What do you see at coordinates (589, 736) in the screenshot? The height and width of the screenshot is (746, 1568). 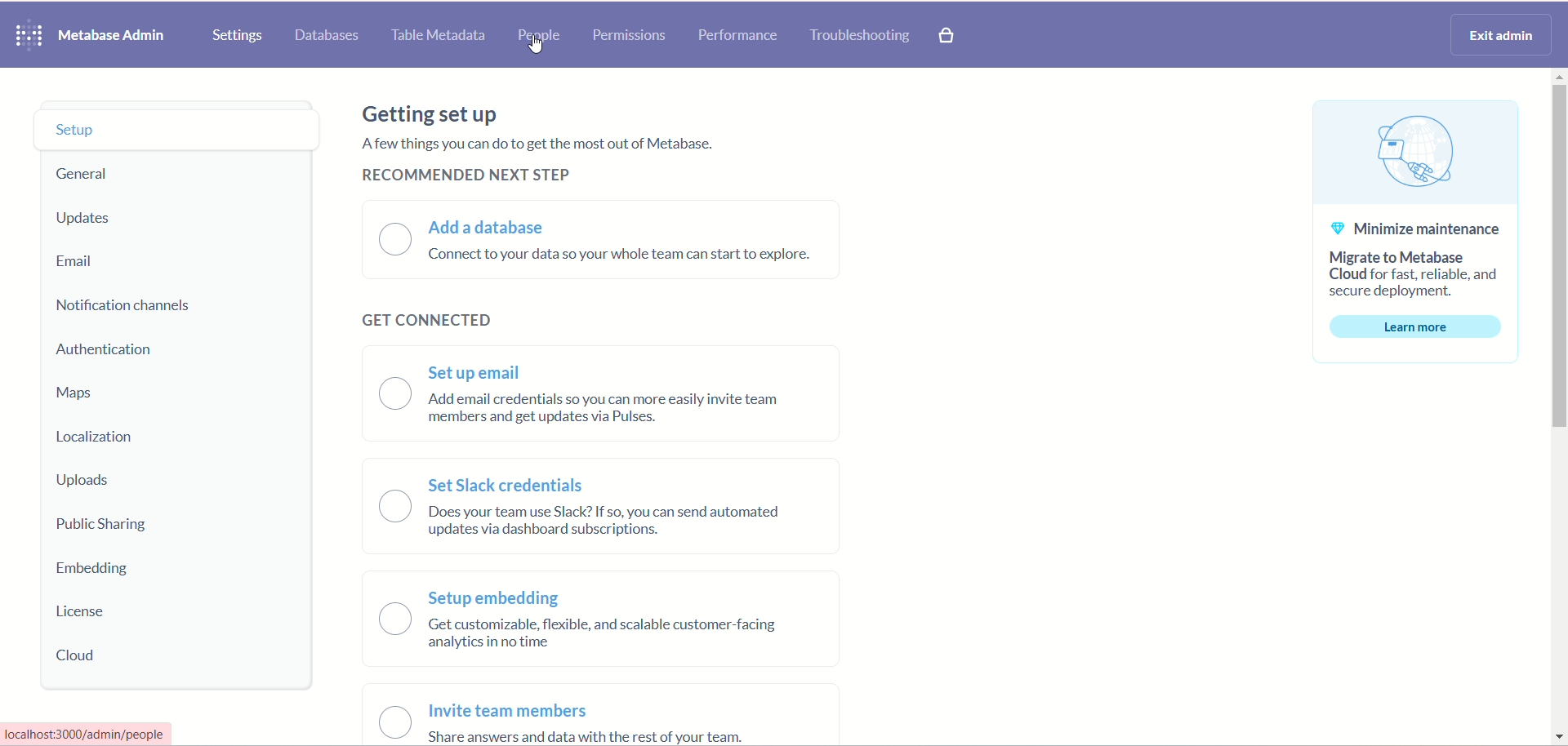 I see `text` at bounding box center [589, 736].